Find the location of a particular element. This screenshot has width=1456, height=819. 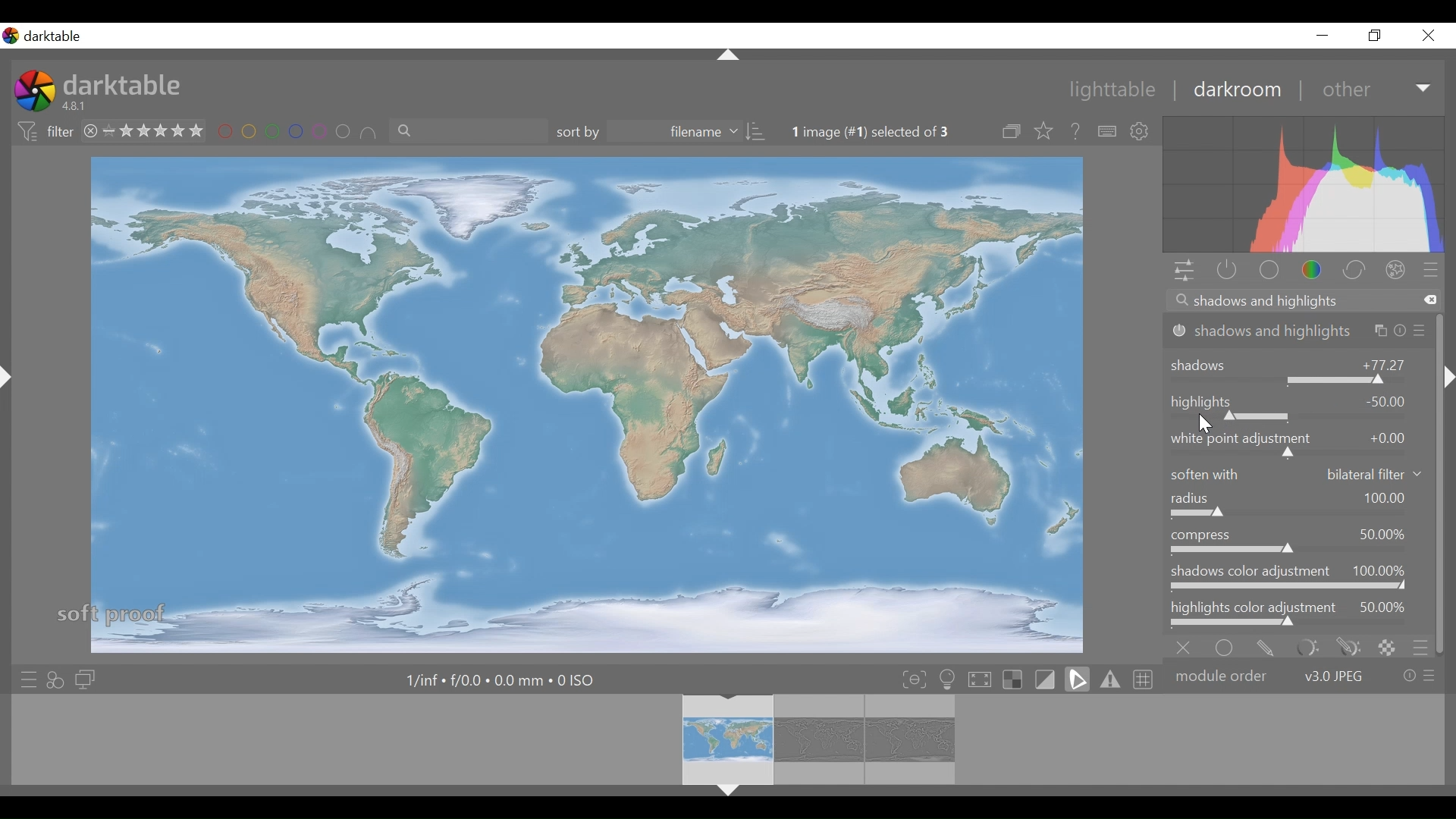

parametric mask is located at coordinates (1304, 647).